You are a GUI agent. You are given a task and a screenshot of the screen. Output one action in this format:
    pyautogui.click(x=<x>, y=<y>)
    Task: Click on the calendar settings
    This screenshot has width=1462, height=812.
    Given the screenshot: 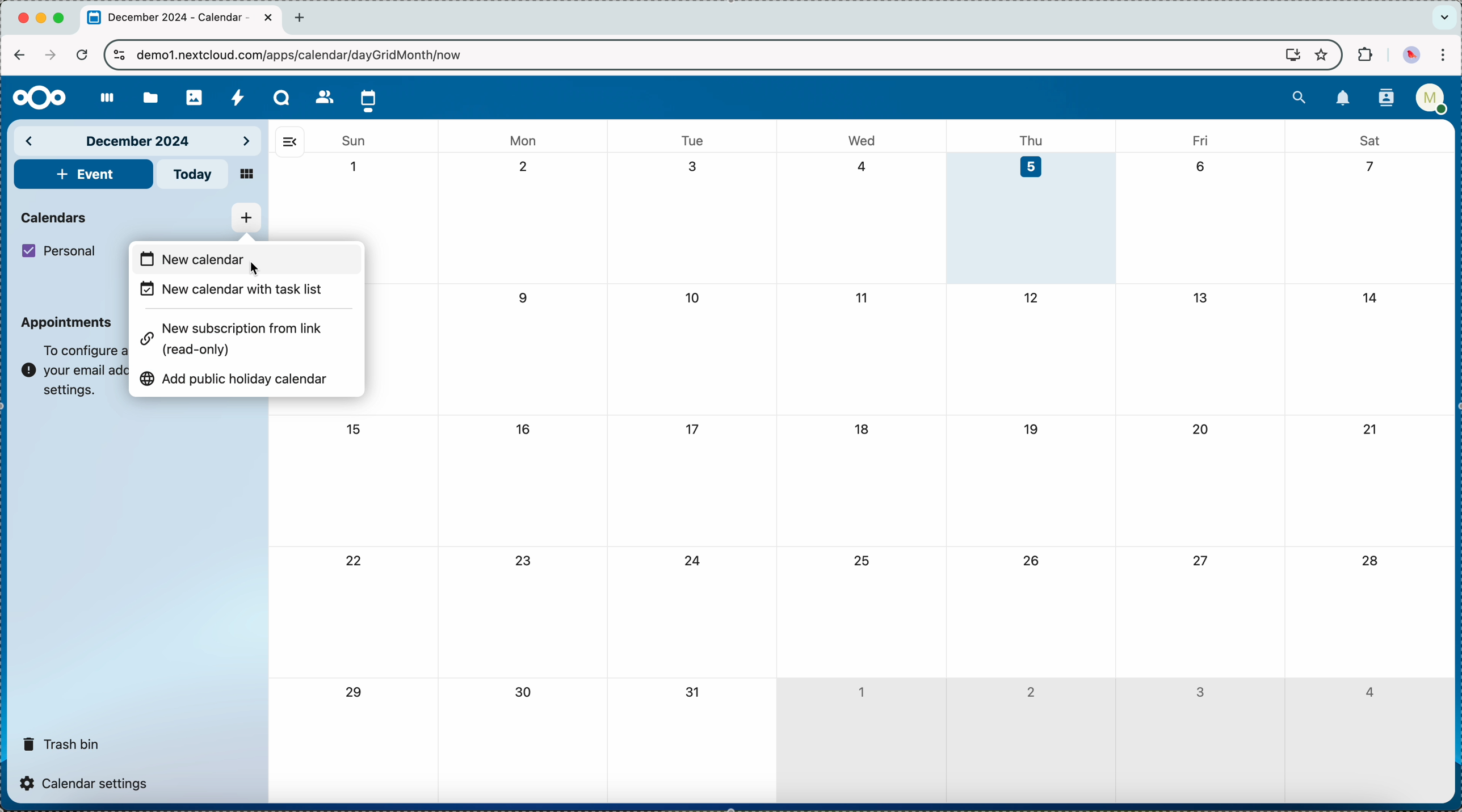 What is the action you would take?
    pyautogui.click(x=87, y=782)
    